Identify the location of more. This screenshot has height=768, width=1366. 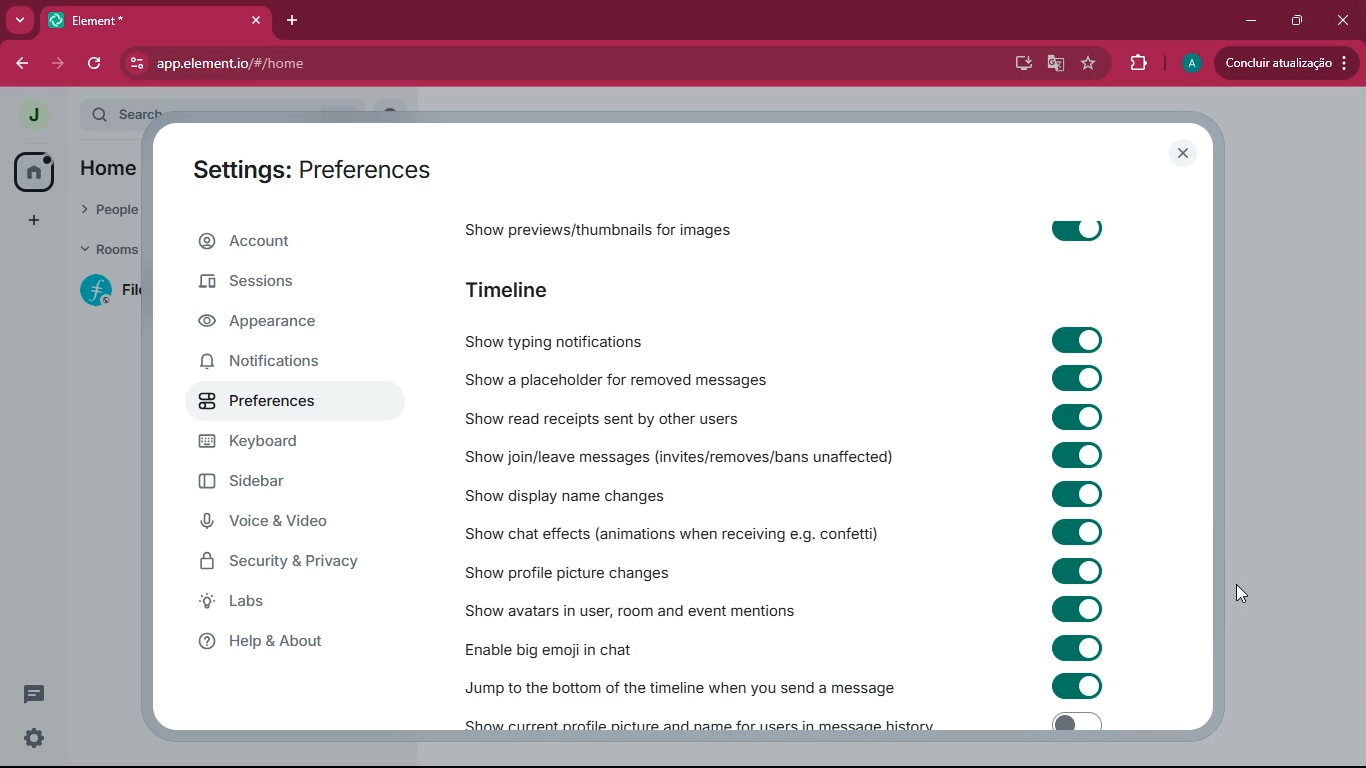
(20, 19).